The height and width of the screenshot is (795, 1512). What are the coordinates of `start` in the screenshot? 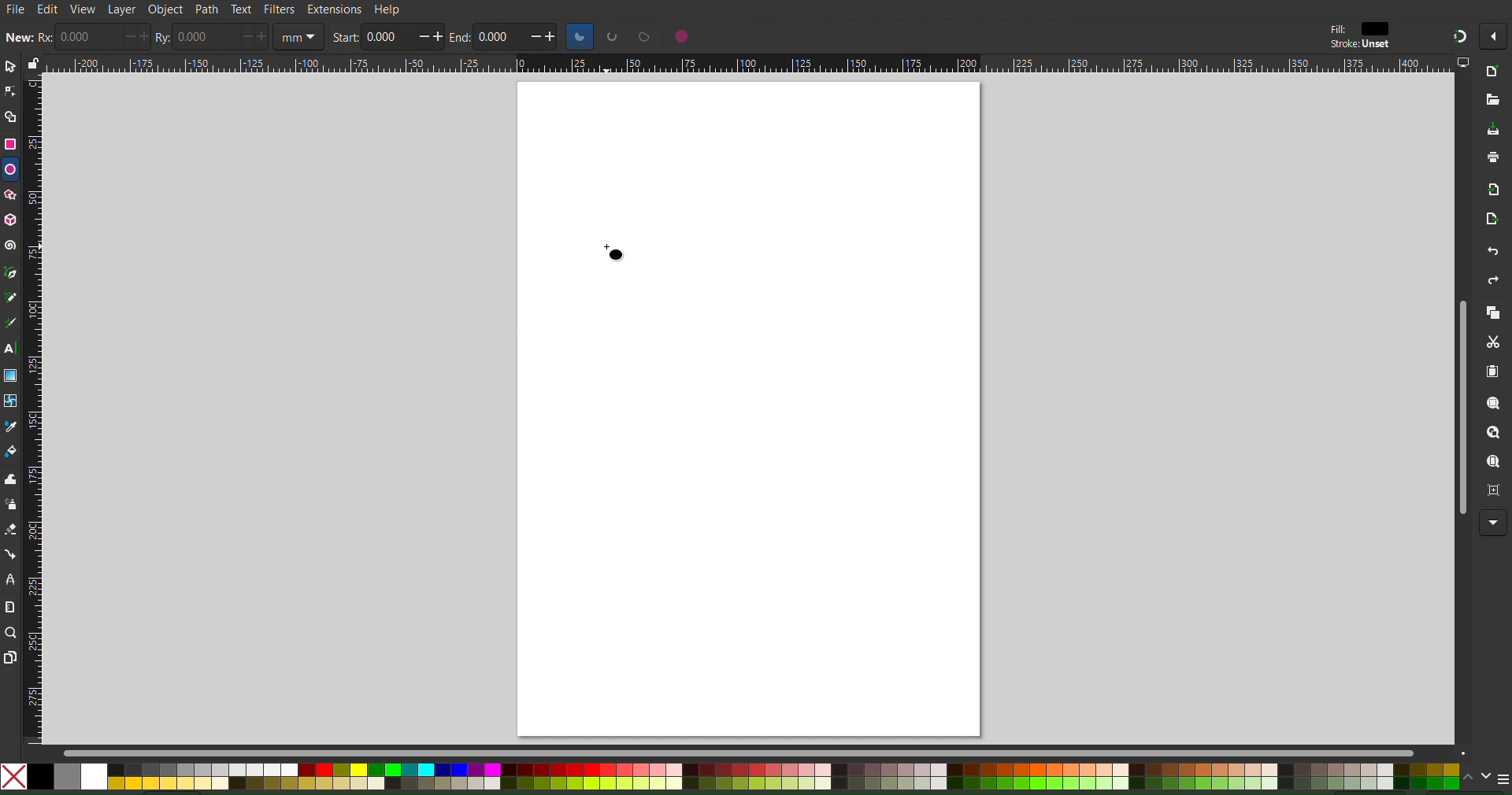 It's located at (343, 39).